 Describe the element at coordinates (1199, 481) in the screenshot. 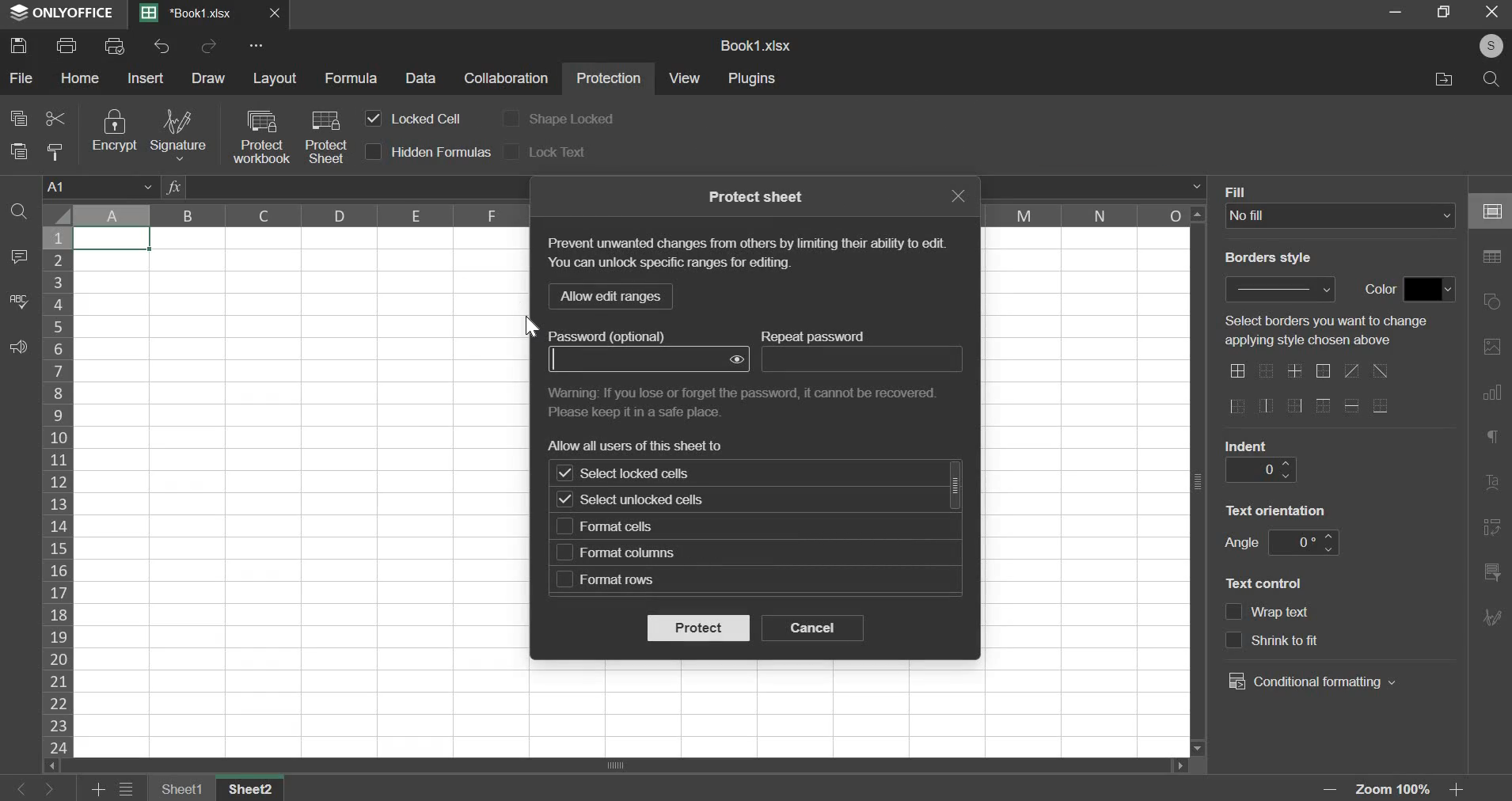

I see `Scroll bar` at that location.